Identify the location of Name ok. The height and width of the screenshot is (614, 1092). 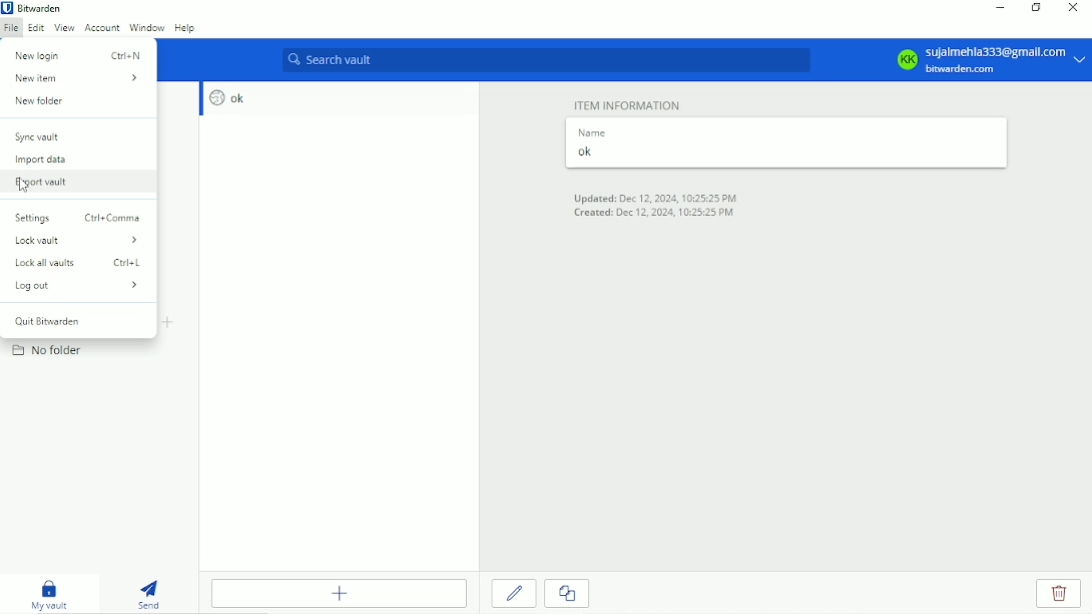
(593, 145).